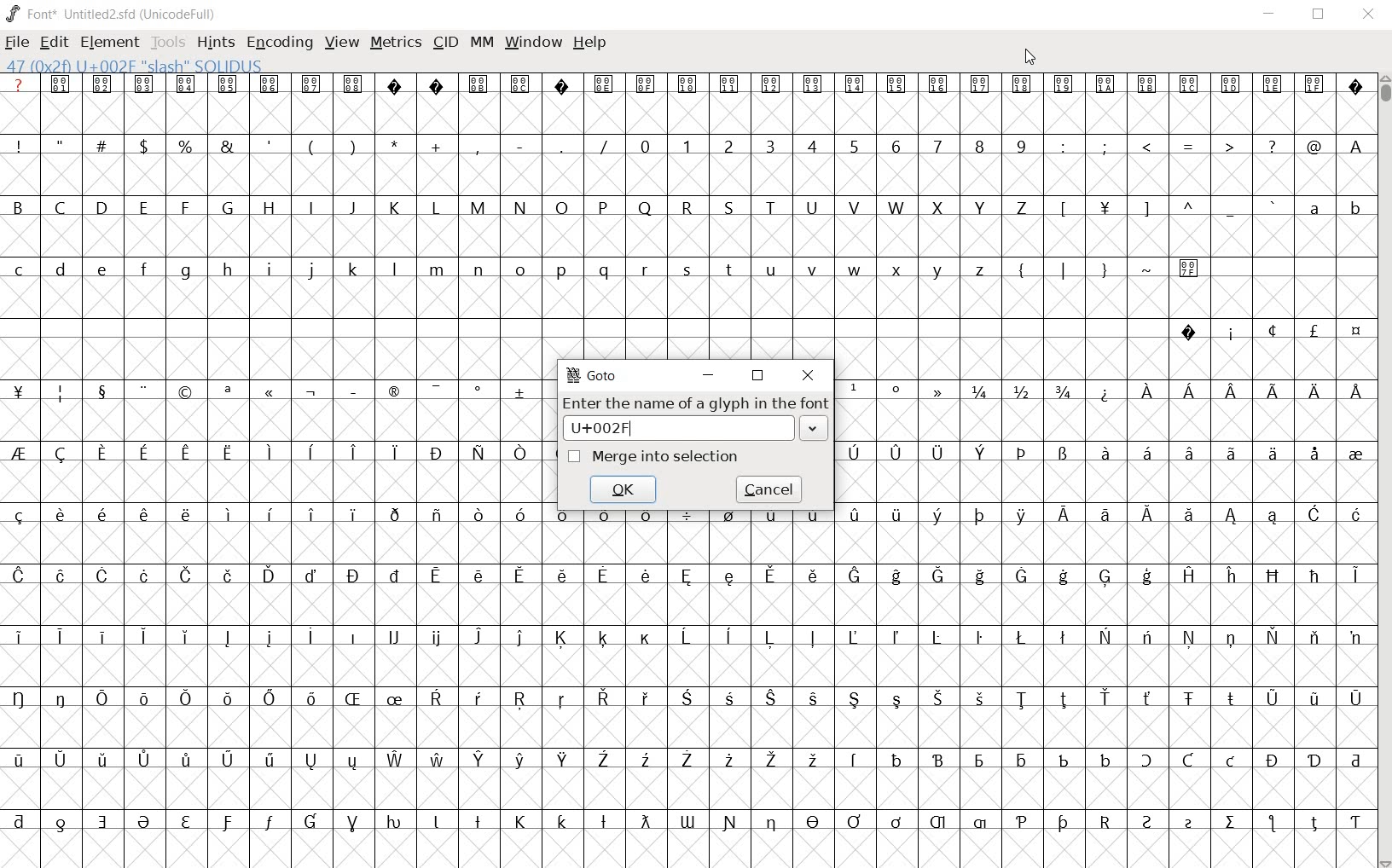 The height and width of the screenshot is (868, 1392). I want to click on CURSOR, so click(1029, 58).